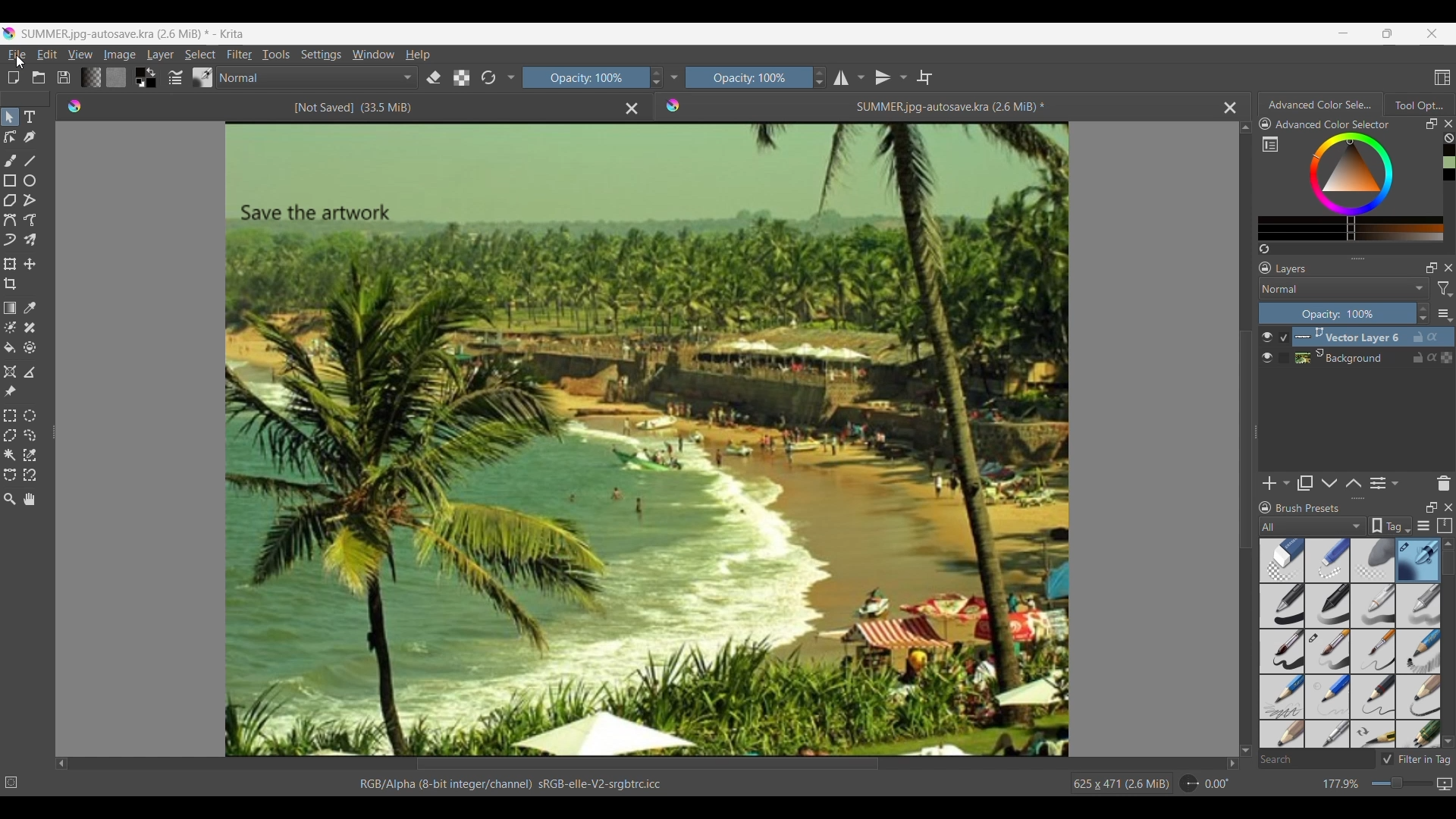 The image size is (1456, 819). I want to click on Reference images tool, so click(10, 391).